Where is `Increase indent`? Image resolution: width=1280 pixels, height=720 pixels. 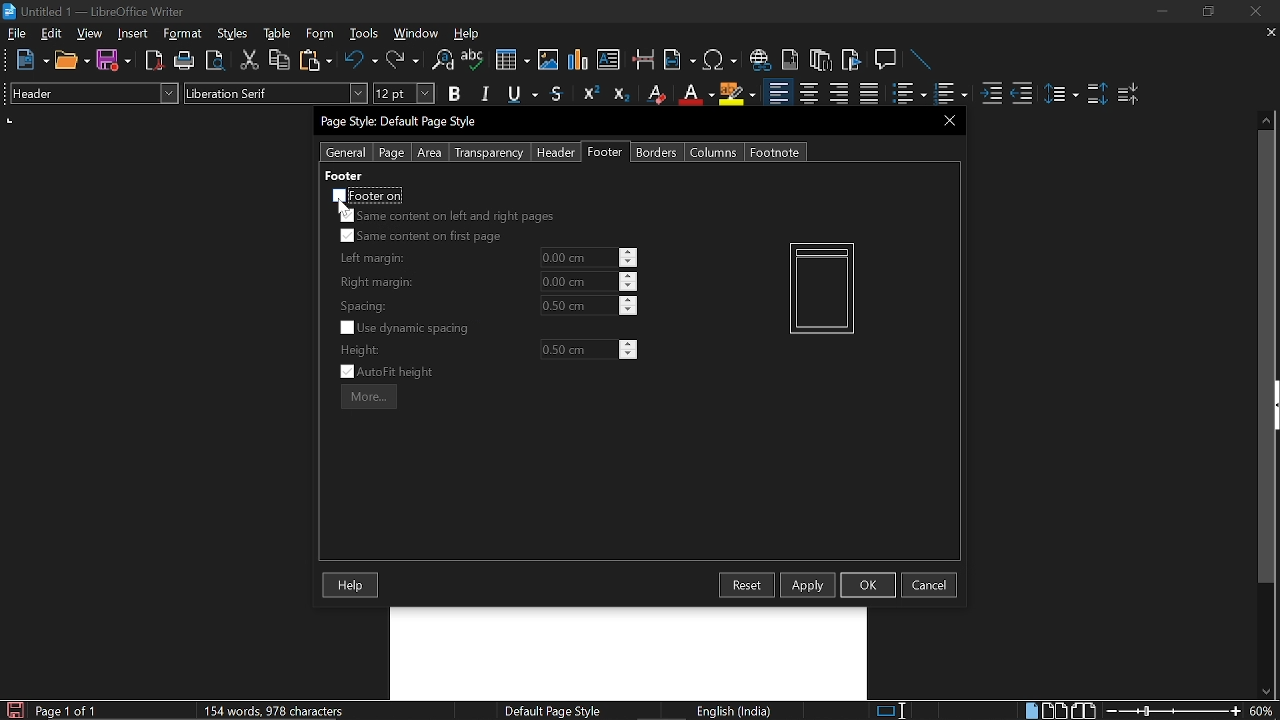 Increase indent is located at coordinates (990, 93).